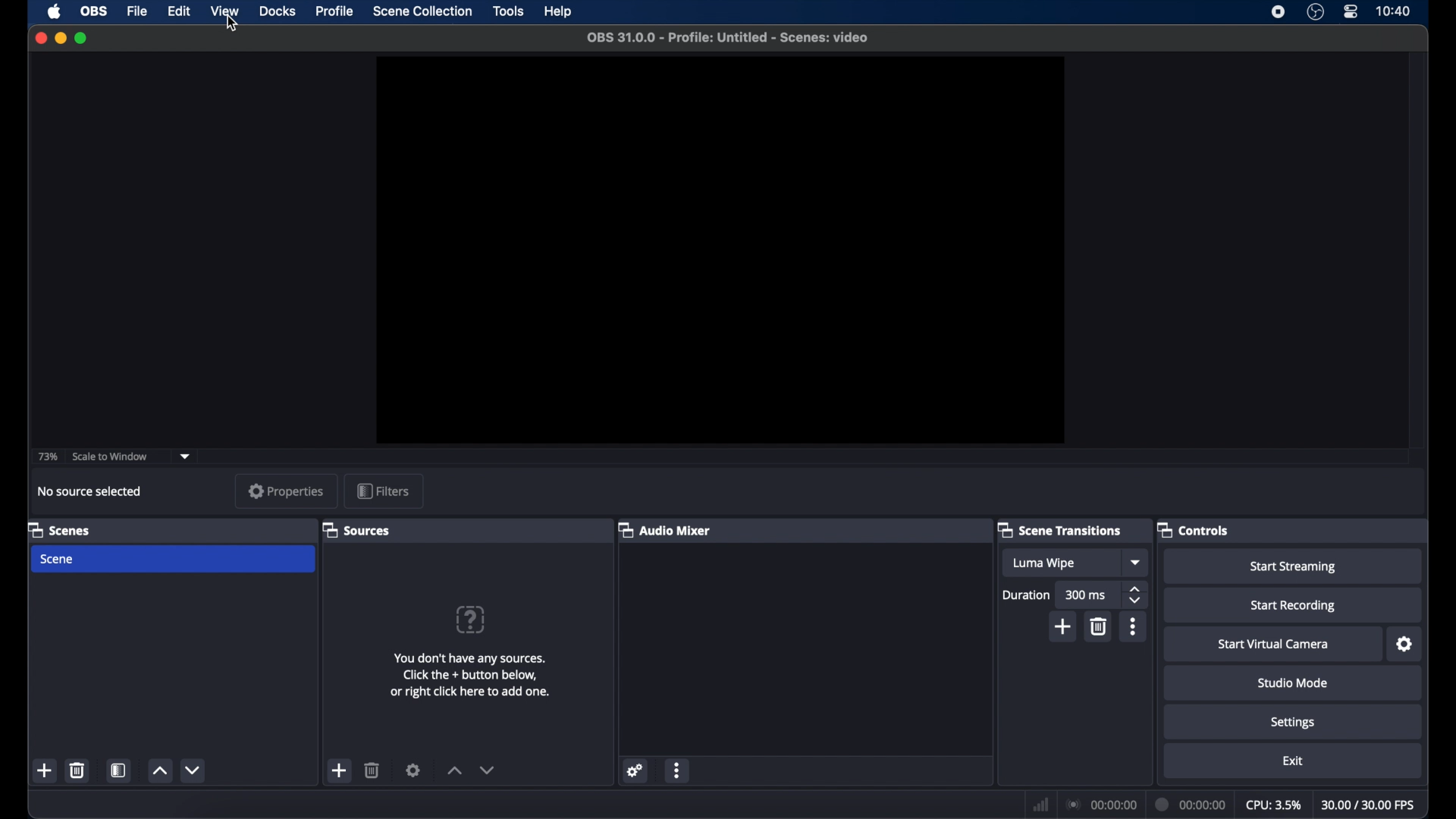  What do you see at coordinates (55, 11) in the screenshot?
I see `apple icon` at bounding box center [55, 11].